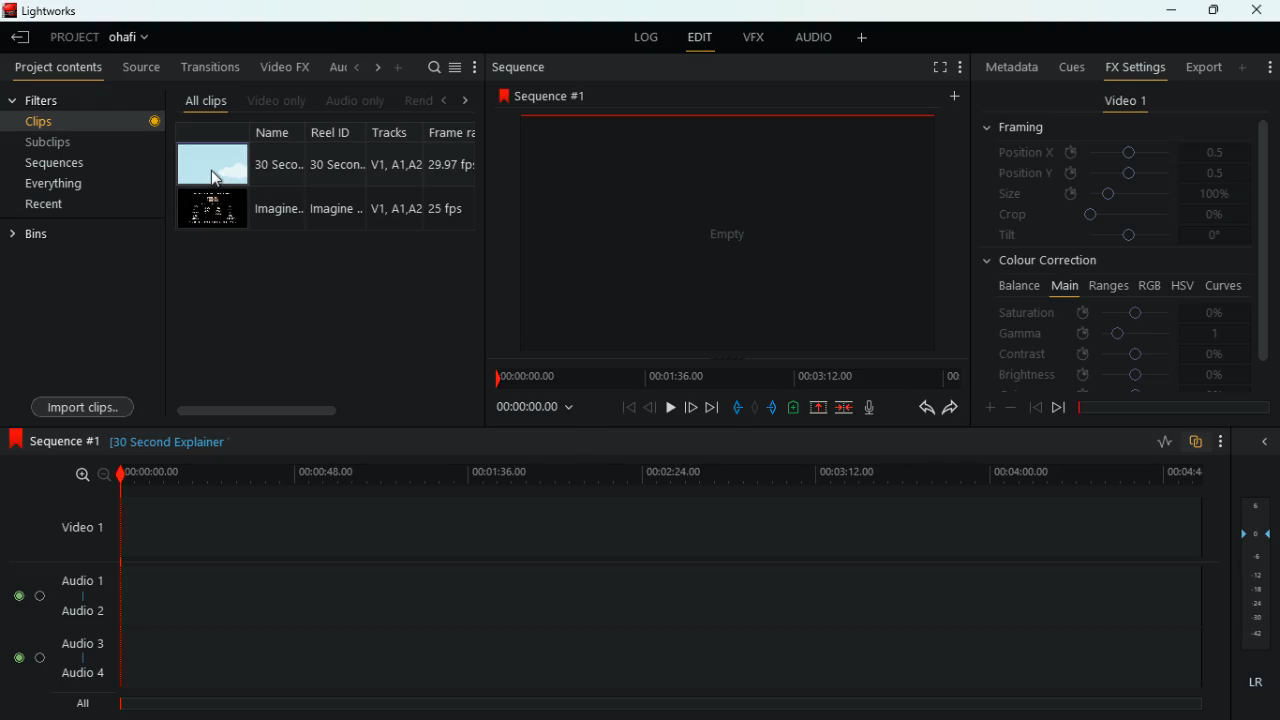 The width and height of the screenshot is (1280, 720). What do you see at coordinates (1253, 679) in the screenshot?
I see `lr` at bounding box center [1253, 679].